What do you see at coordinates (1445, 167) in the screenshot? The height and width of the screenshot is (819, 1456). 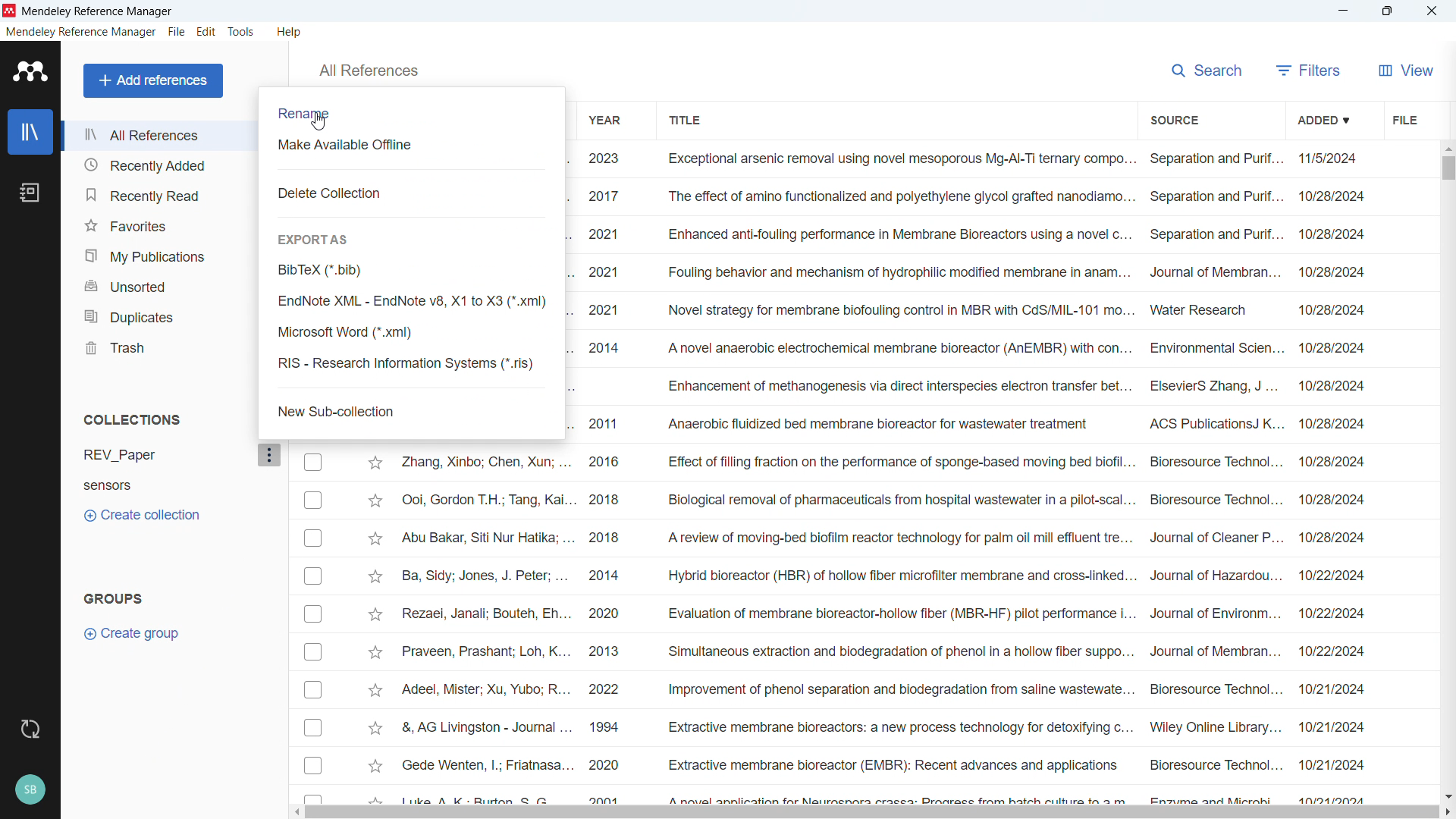 I see `Vertical scroll bar ` at bounding box center [1445, 167].